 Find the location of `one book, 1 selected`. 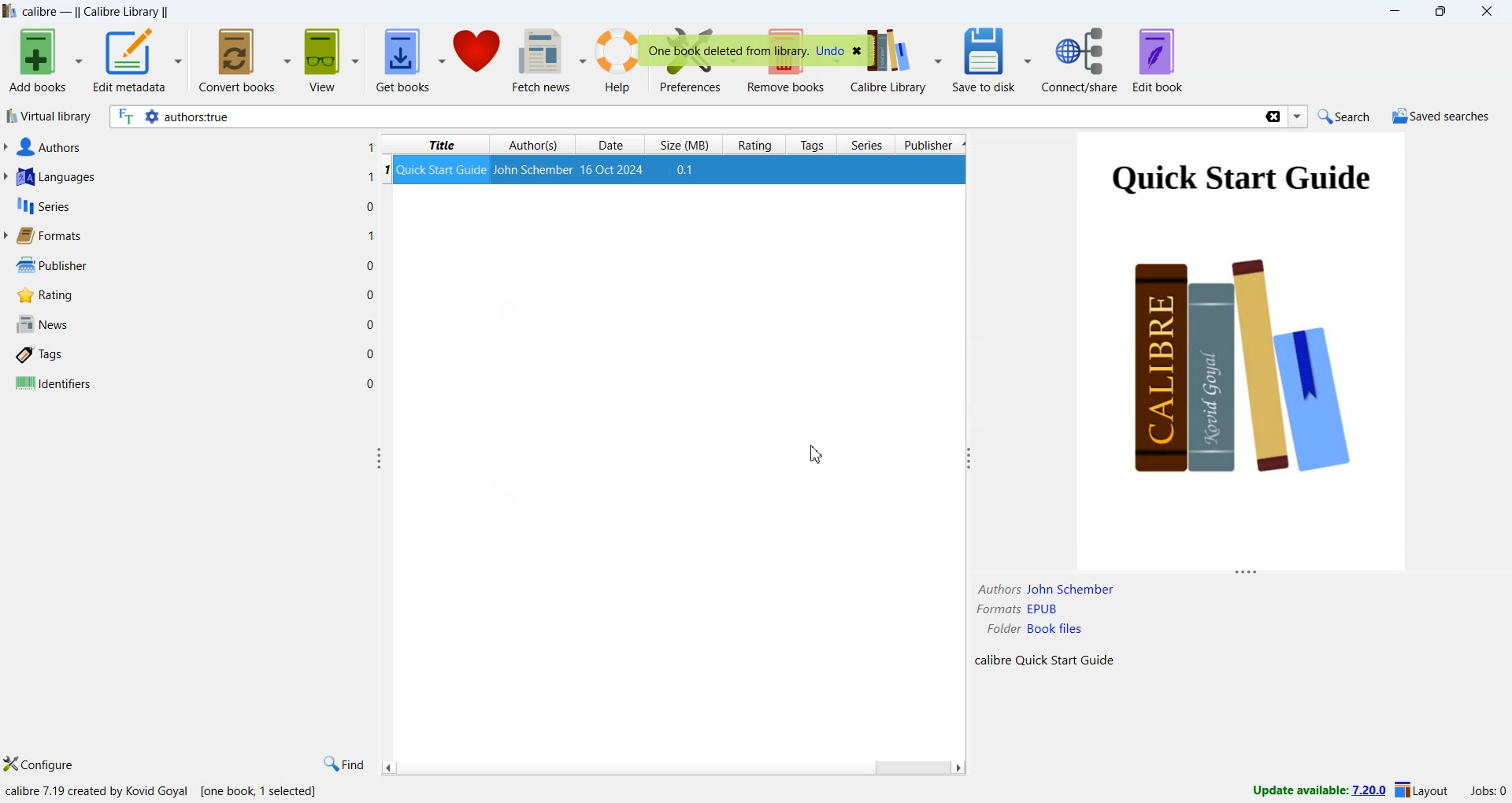

one book, 1 selected is located at coordinates (261, 792).